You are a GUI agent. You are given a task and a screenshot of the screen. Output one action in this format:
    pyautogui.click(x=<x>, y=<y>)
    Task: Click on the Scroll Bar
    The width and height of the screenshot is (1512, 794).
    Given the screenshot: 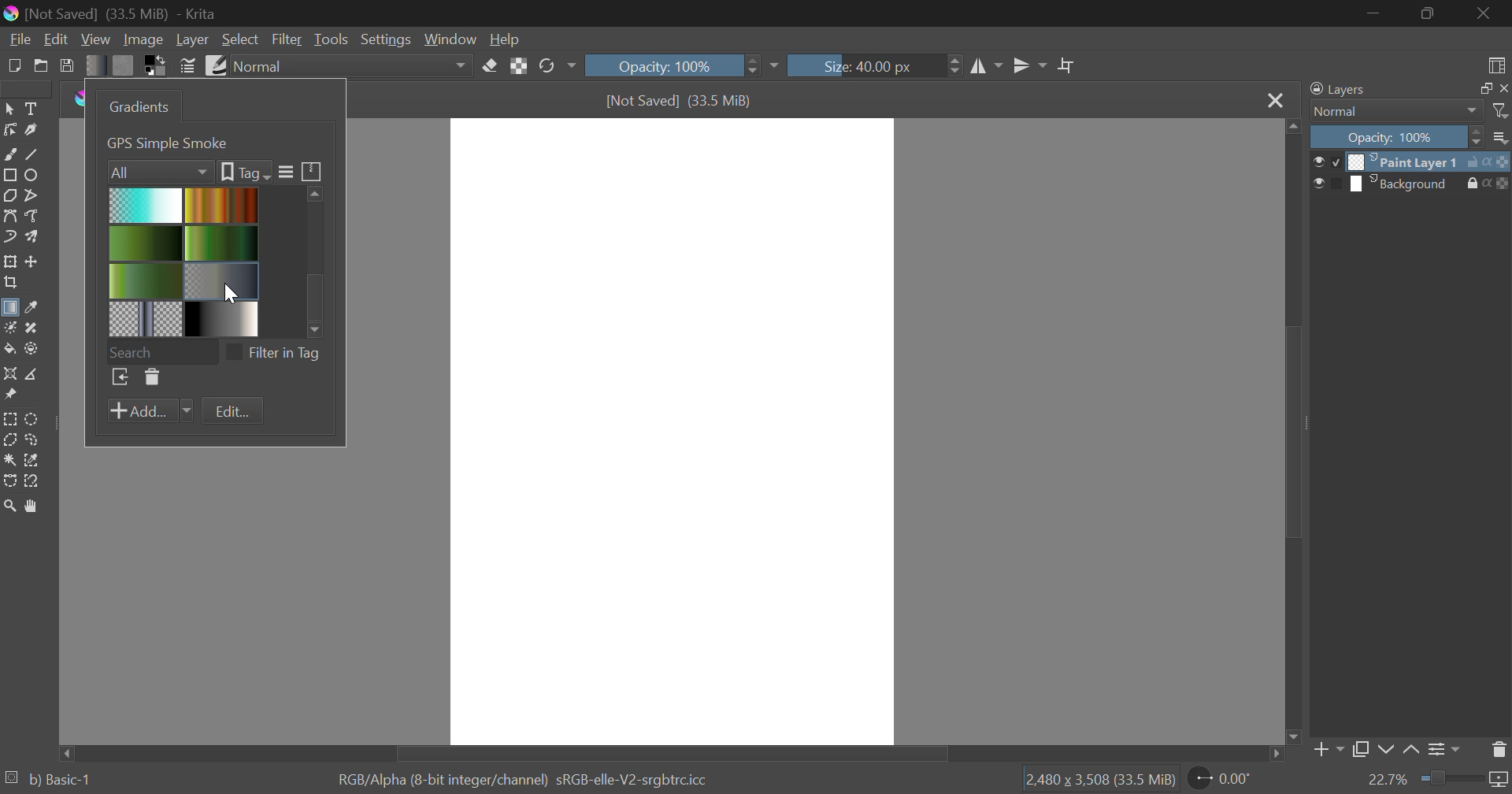 What is the action you would take?
    pyautogui.click(x=674, y=752)
    